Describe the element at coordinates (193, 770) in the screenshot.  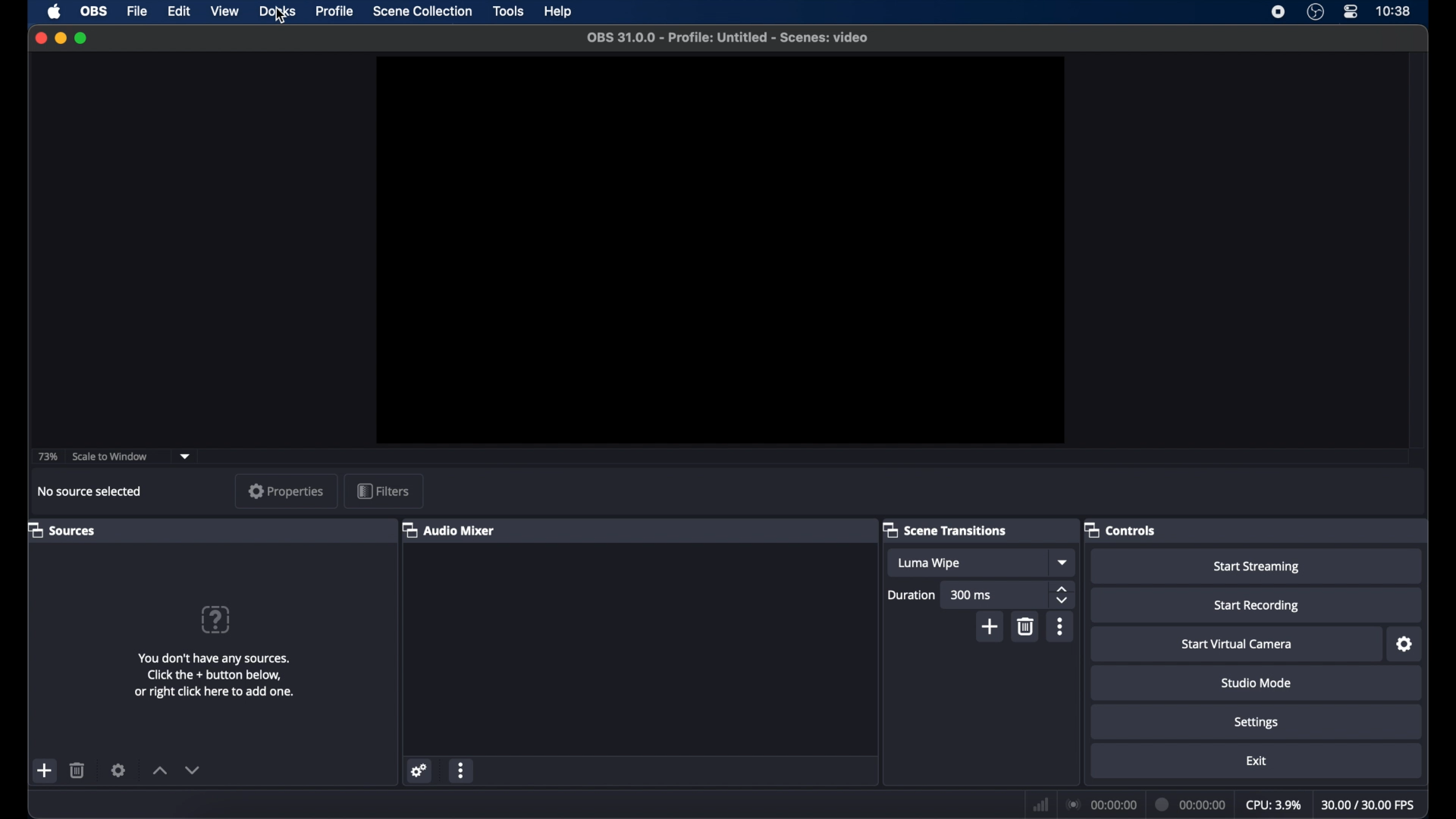
I see `decrement` at that location.